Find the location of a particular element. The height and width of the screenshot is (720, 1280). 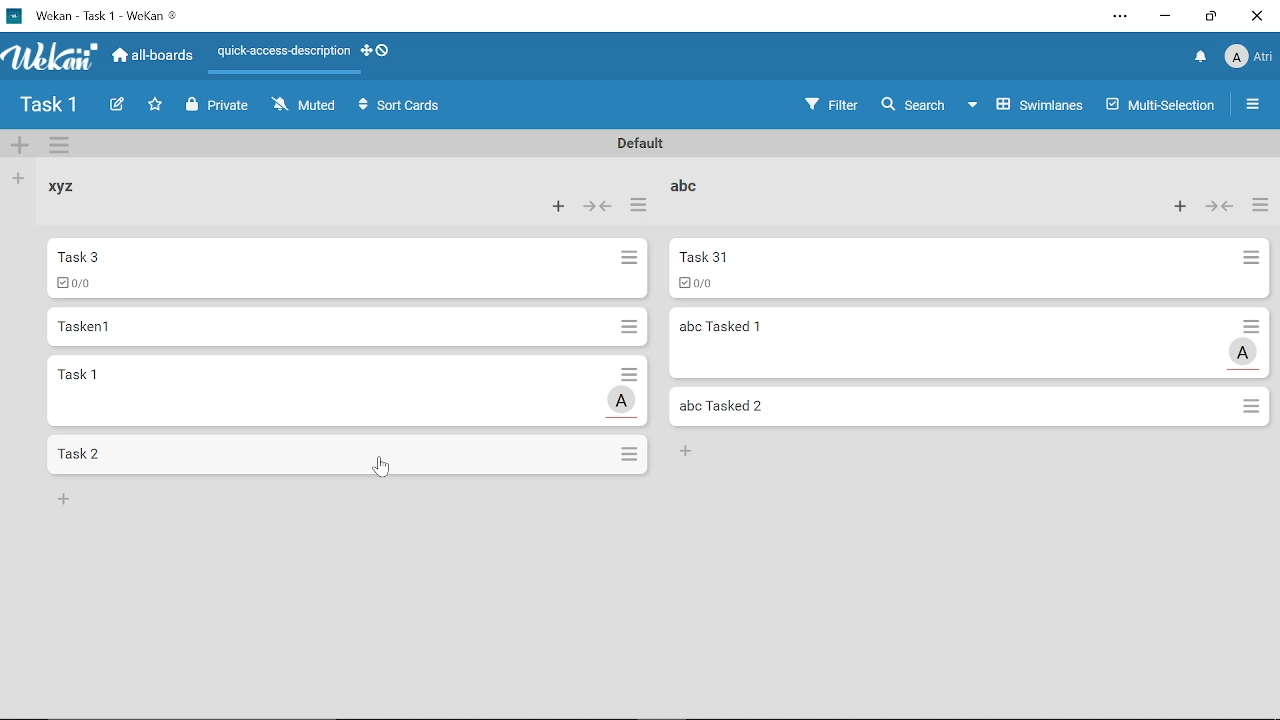

Swimlanes is located at coordinates (1028, 103).